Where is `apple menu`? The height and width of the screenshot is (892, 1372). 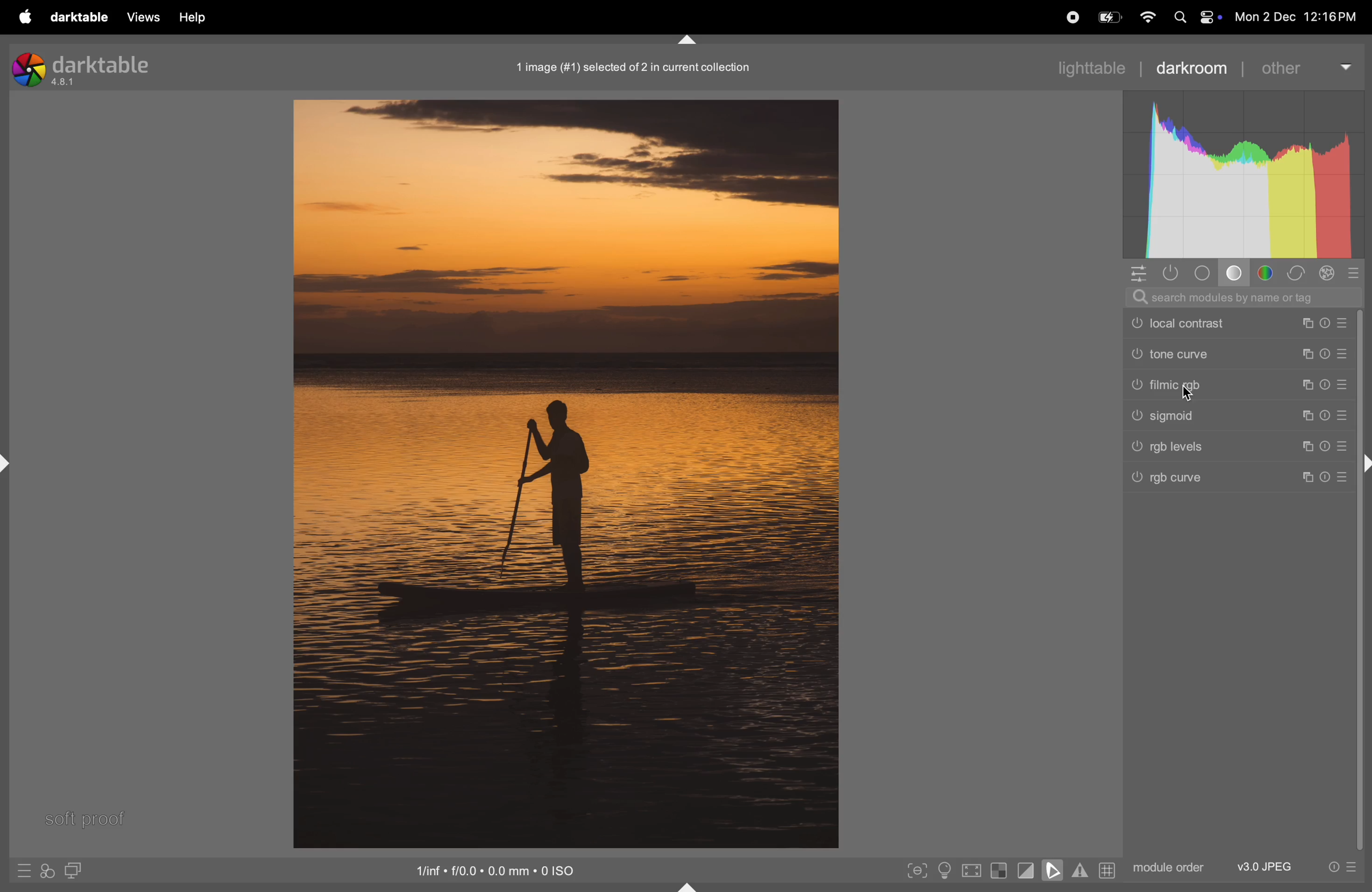
apple menu is located at coordinates (22, 17).